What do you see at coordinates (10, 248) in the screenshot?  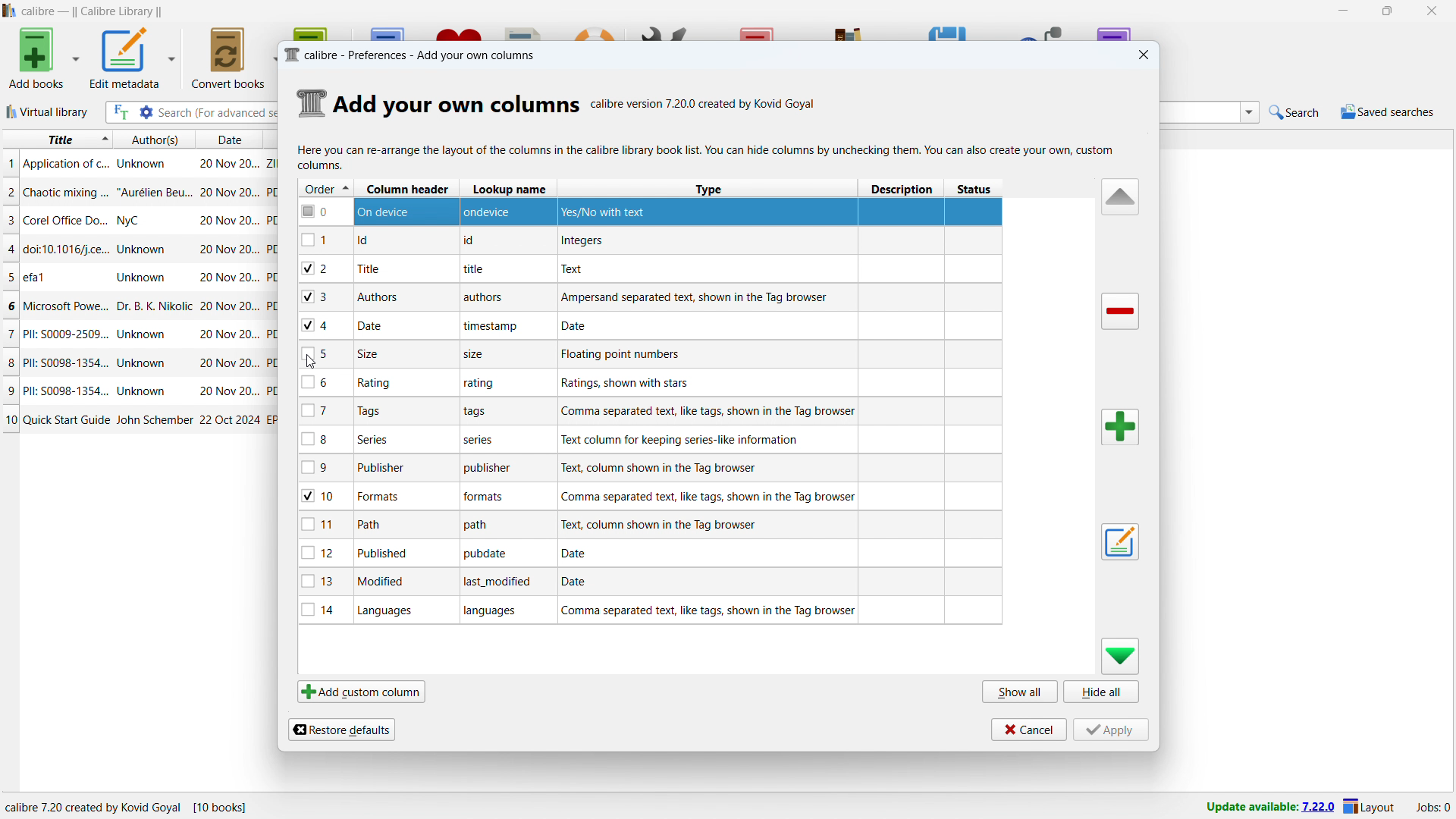 I see `4` at bounding box center [10, 248].